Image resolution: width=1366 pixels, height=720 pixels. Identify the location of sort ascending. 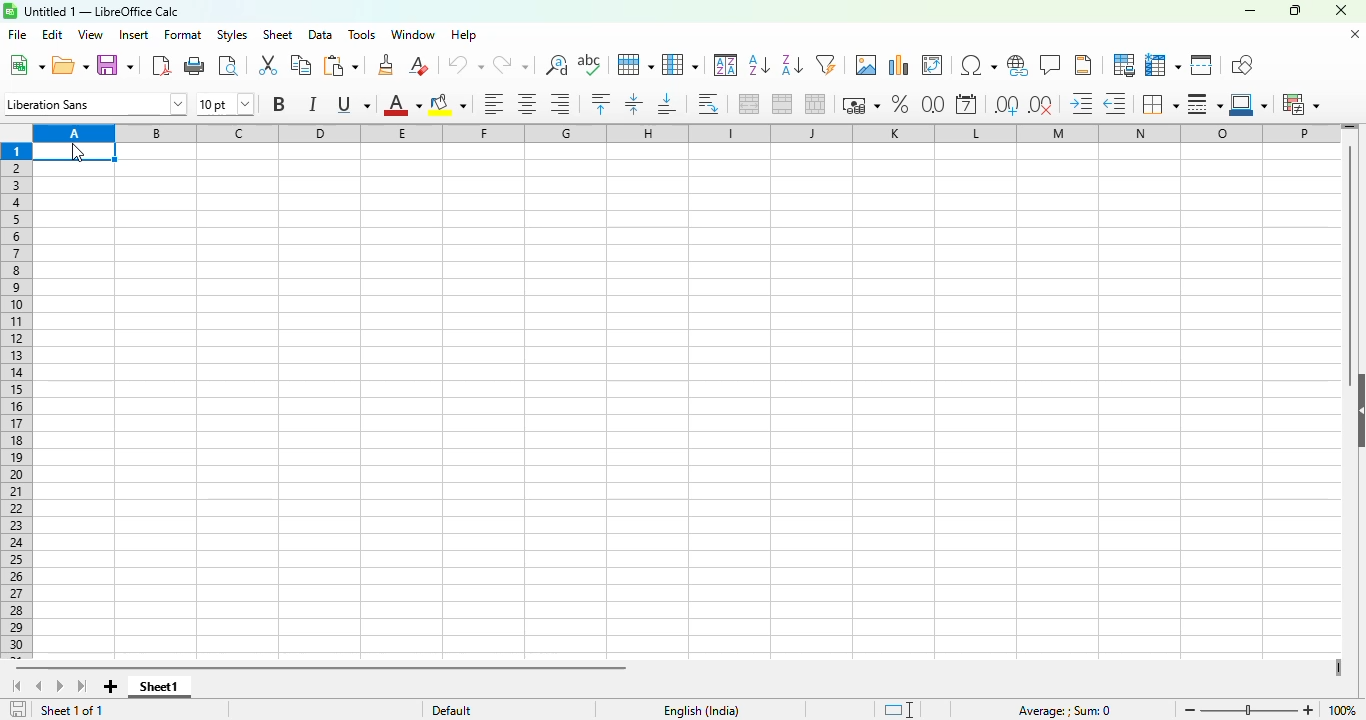
(759, 66).